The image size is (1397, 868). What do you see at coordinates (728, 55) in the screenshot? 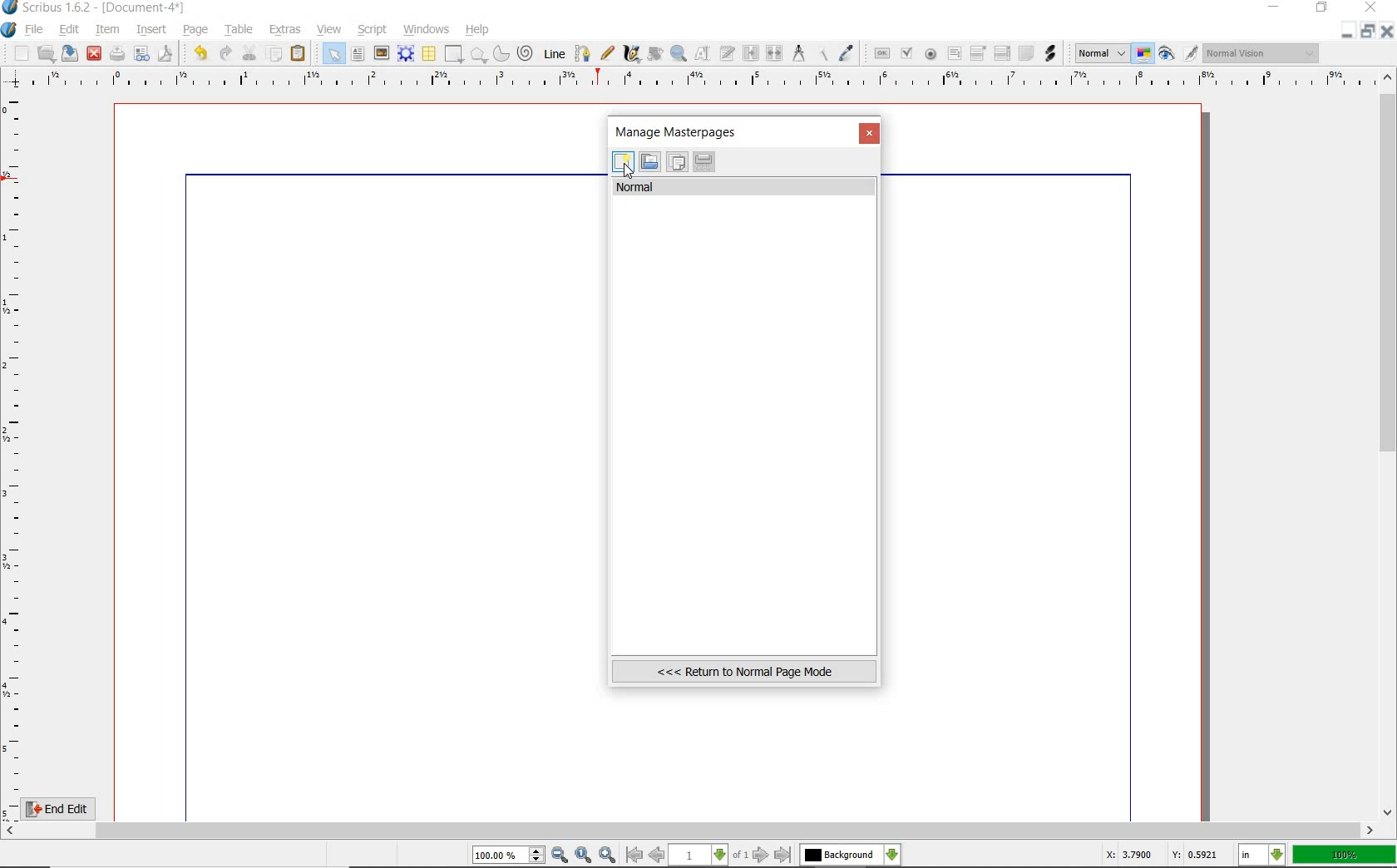
I see `edit text with story editor` at bounding box center [728, 55].